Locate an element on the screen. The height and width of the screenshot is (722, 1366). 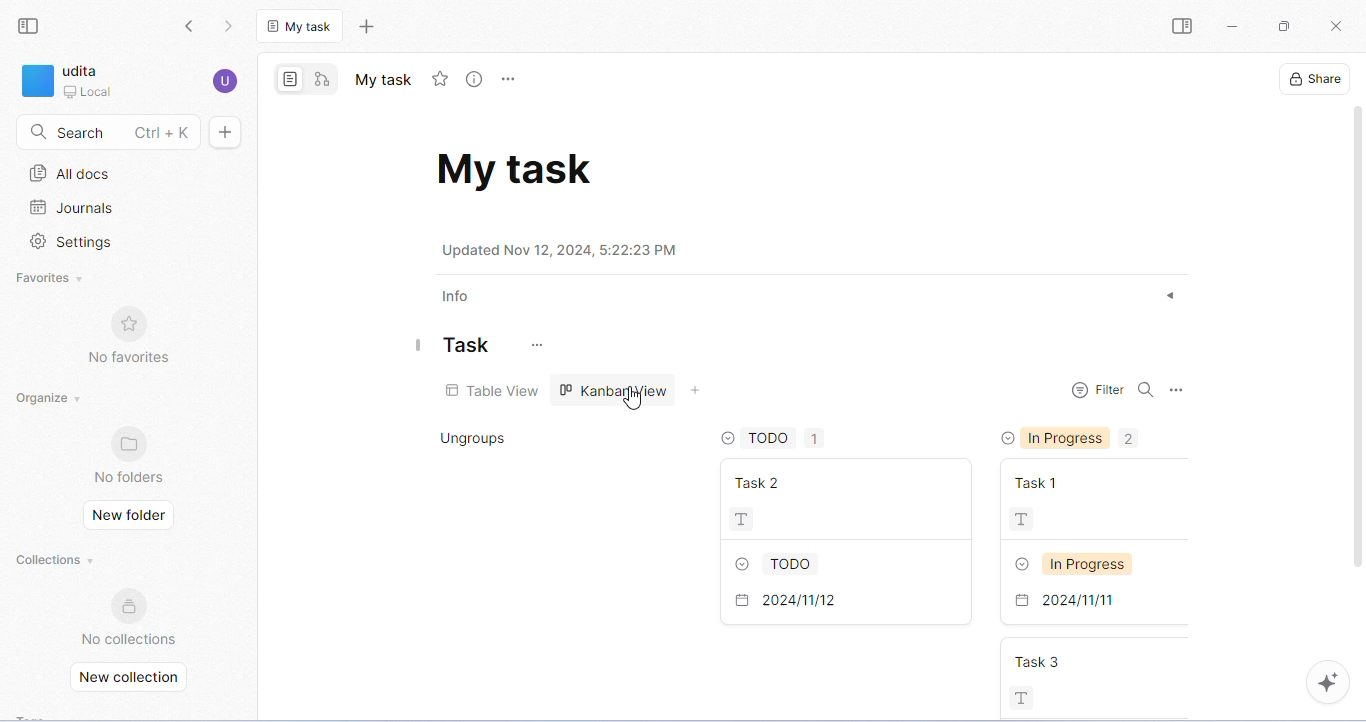
settings is located at coordinates (72, 243).